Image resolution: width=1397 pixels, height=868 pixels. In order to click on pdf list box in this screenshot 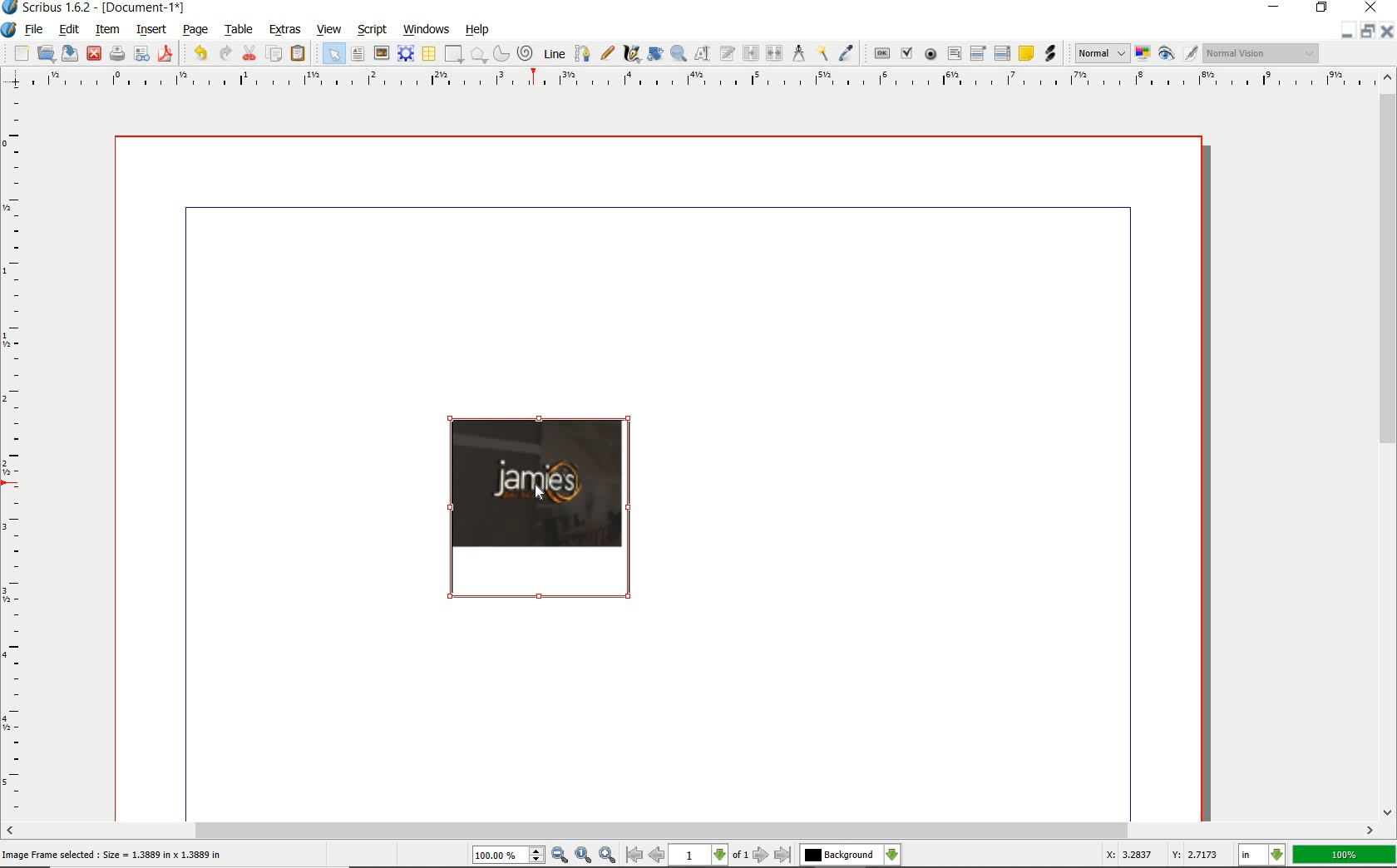, I will do `click(1003, 54)`.